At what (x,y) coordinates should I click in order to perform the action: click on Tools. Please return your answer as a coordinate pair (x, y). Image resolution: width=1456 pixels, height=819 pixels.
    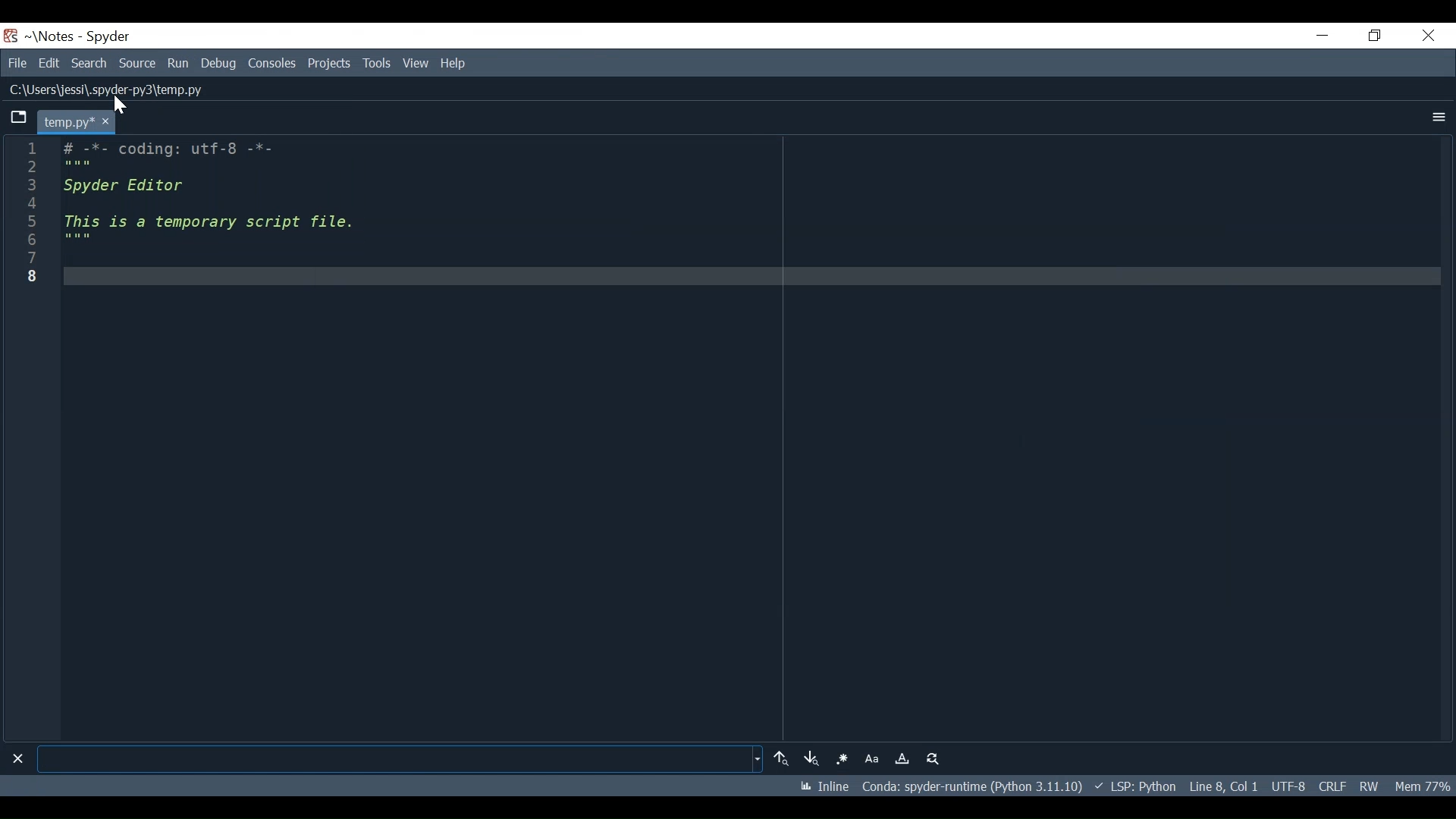
    Looking at the image, I should click on (378, 63).